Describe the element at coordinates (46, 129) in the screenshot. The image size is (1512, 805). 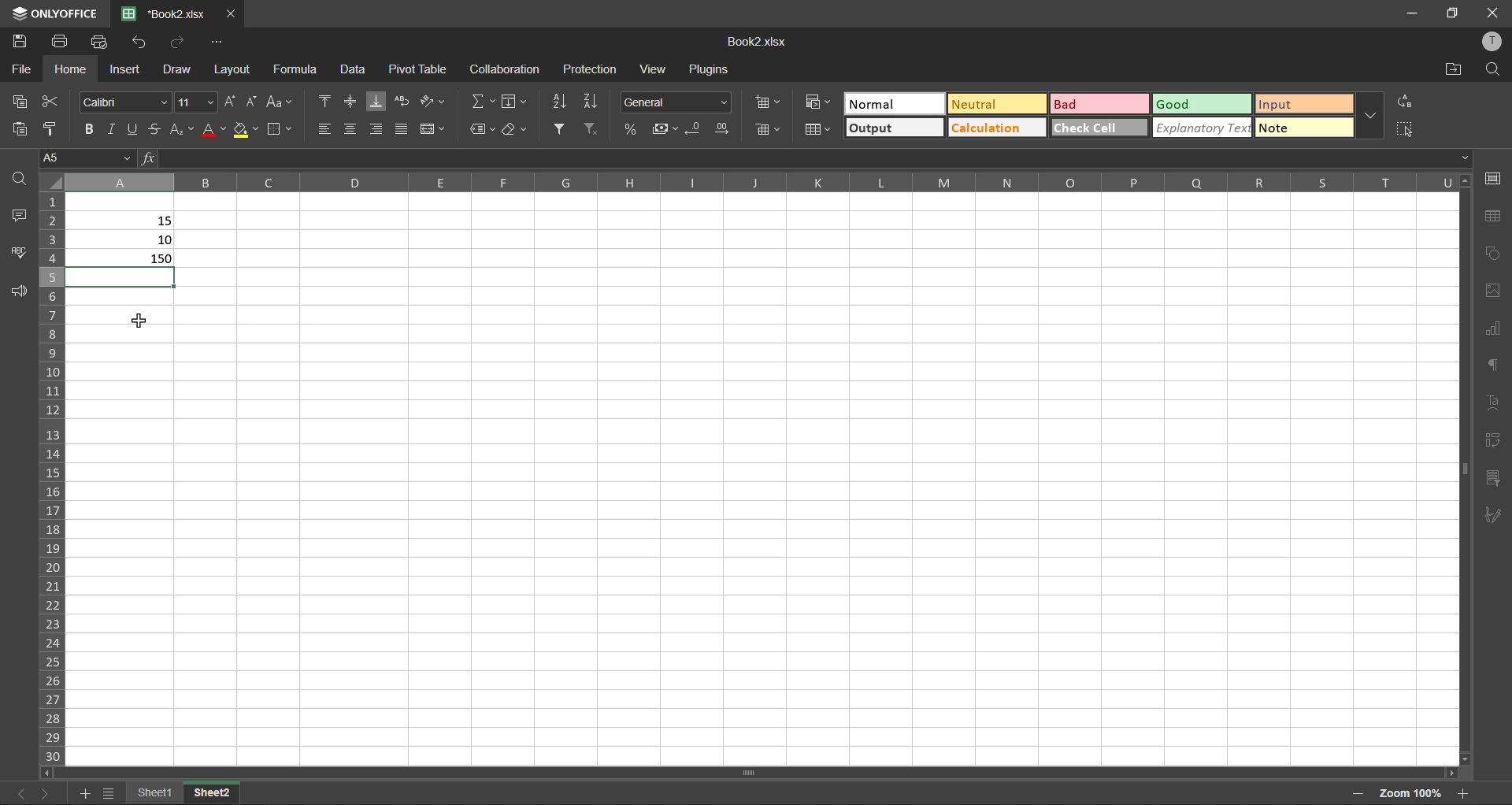
I see `copy style` at that location.